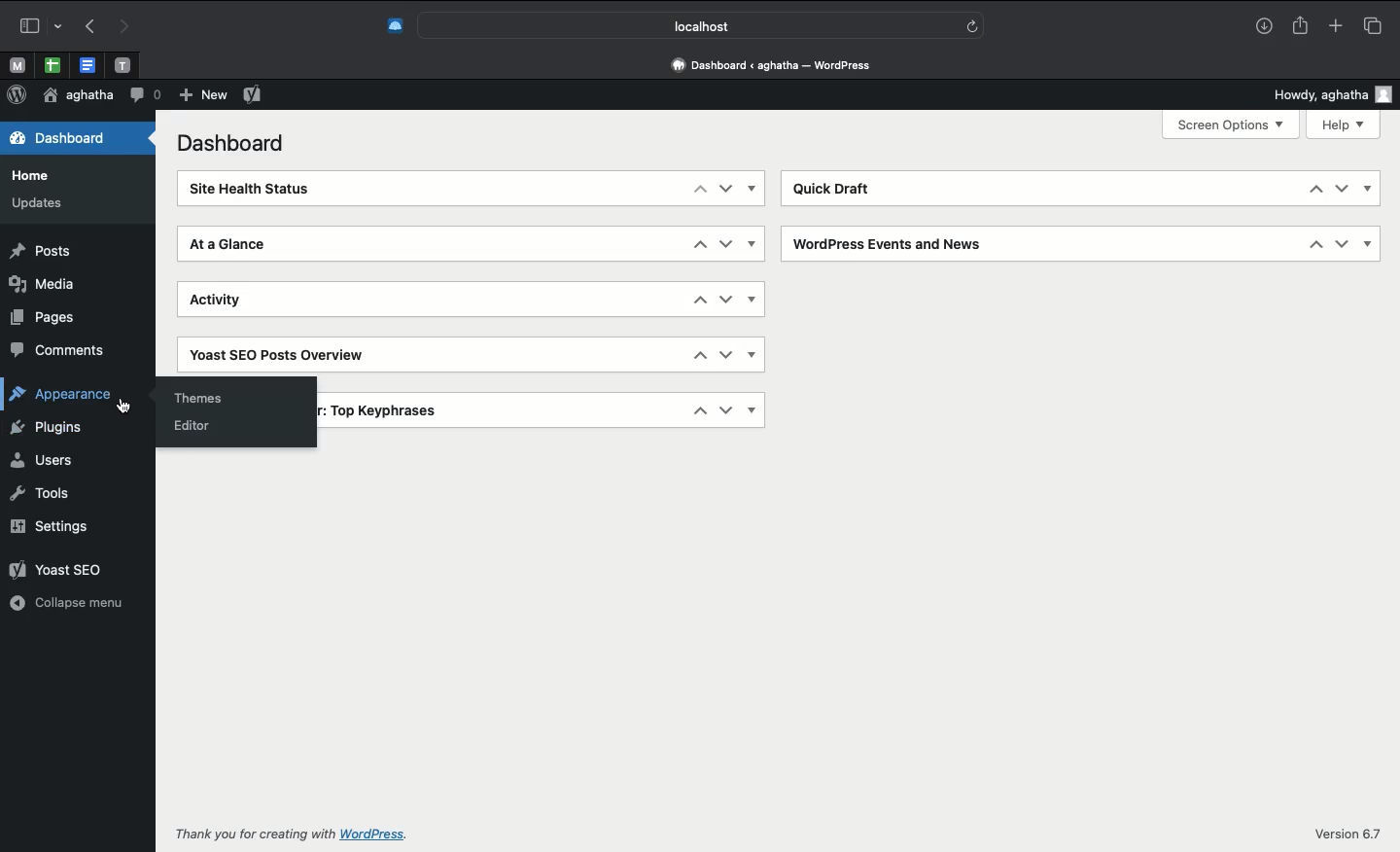  What do you see at coordinates (1231, 124) in the screenshot?
I see `Screen options` at bounding box center [1231, 124].